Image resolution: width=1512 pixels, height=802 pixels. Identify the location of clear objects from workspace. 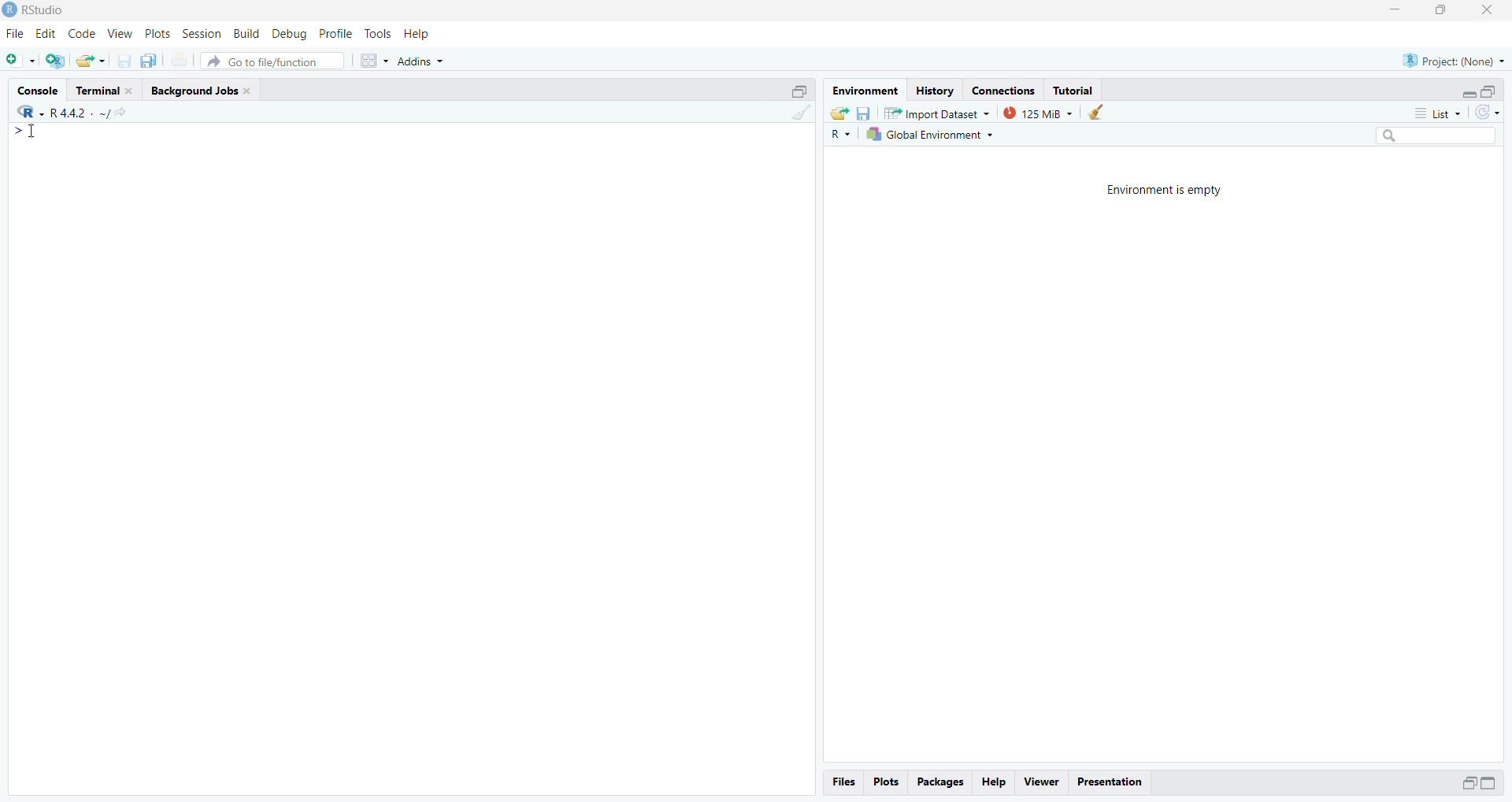
(1095, 112).